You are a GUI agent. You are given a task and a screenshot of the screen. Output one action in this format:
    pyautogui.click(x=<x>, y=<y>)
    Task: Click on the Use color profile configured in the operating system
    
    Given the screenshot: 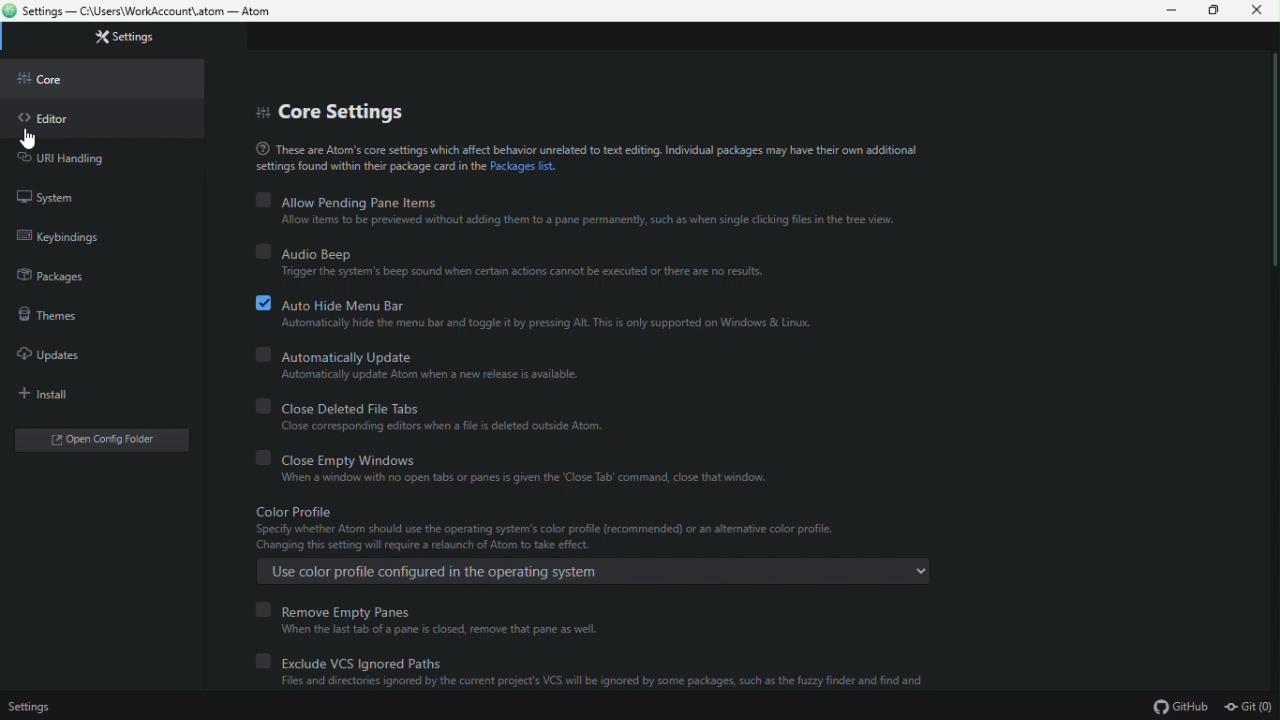 What is the action you would take?
    pyautogui.click(x=590, y=572)
    